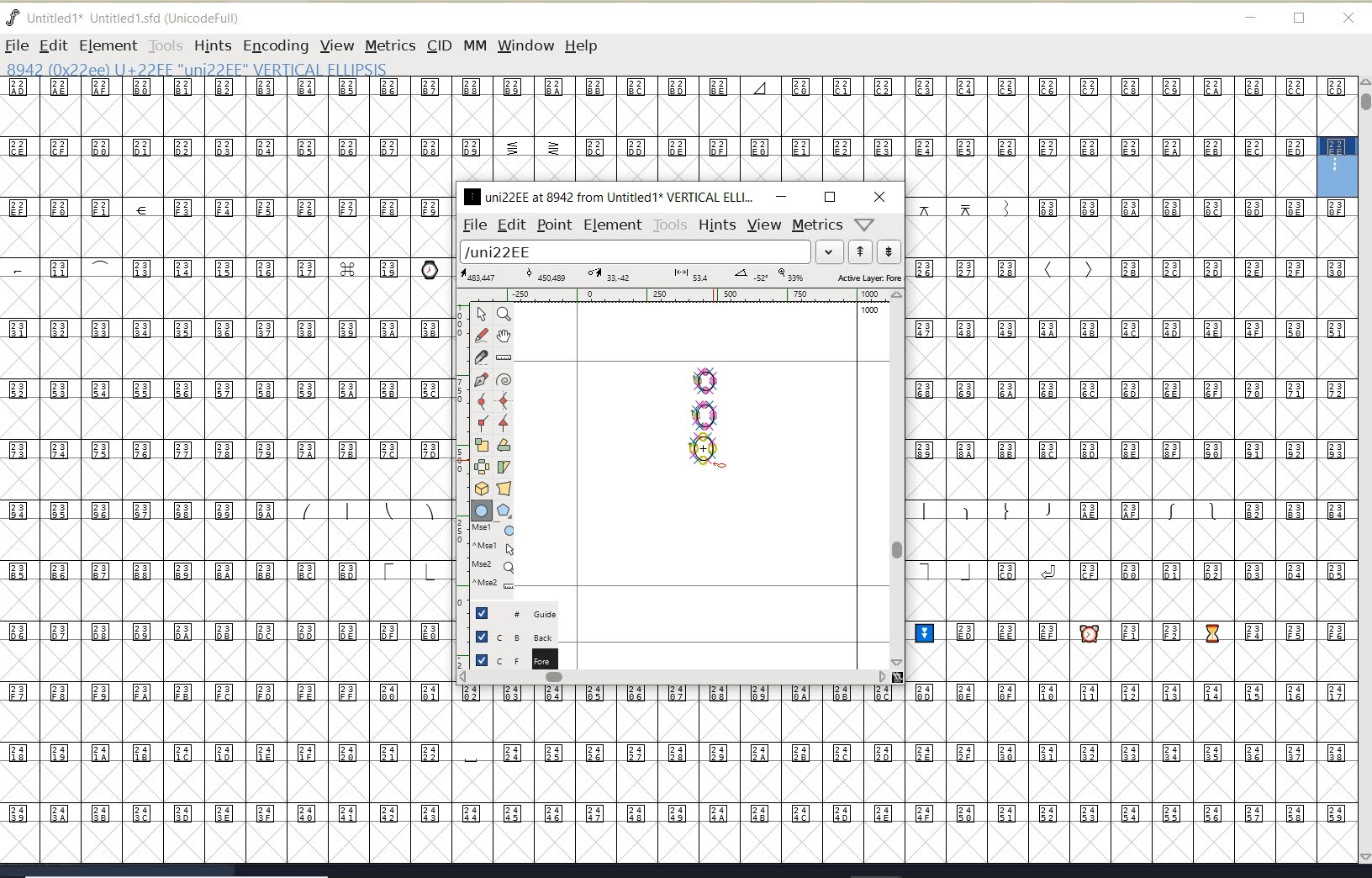  Describe the element at coordinates (514, 658) in the screenshot. I see `foreground` at that location.